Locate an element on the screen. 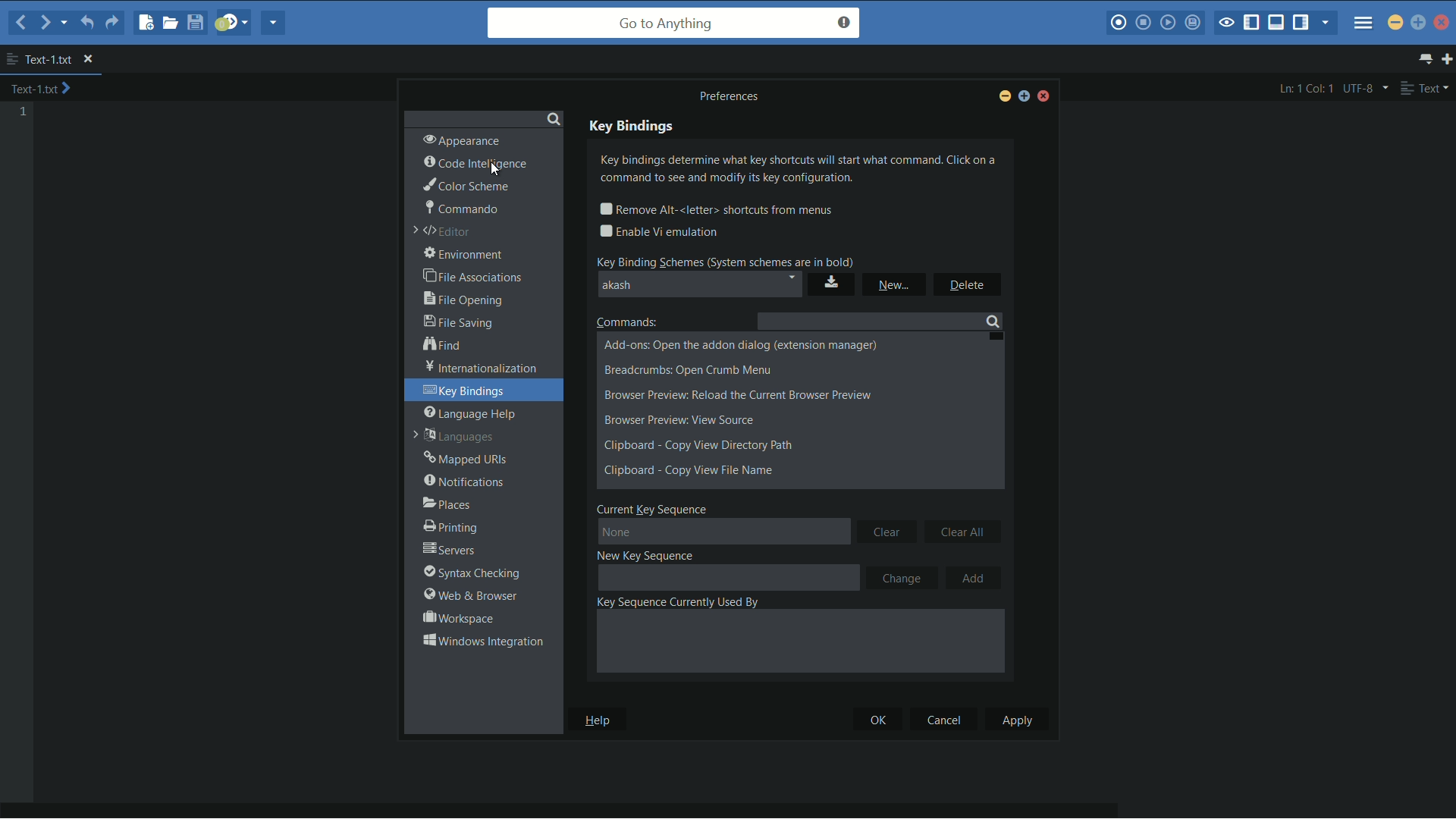  open file is located at coordinates (172, 22).